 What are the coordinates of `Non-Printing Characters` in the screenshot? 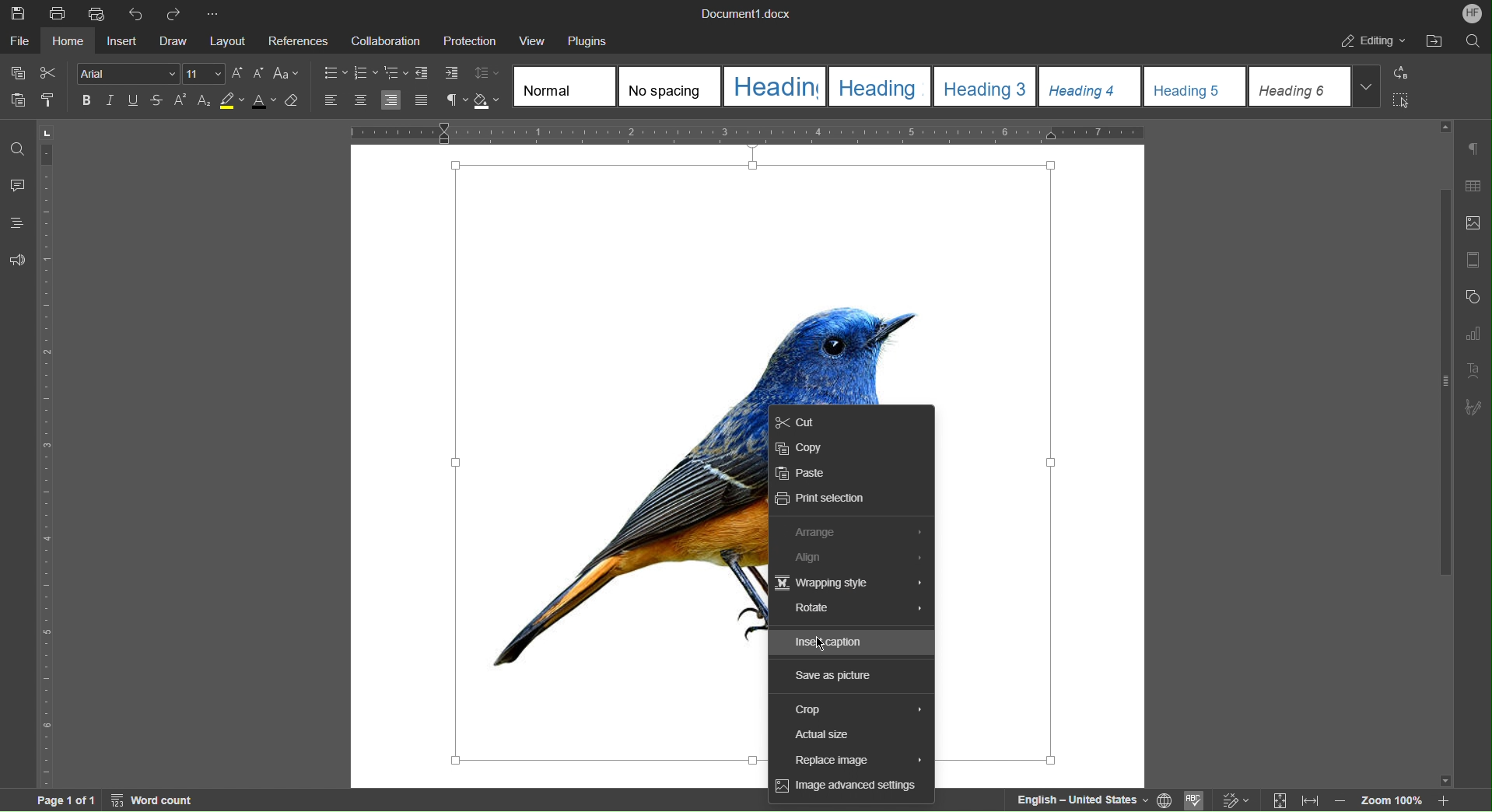 It's located at (454, 101).